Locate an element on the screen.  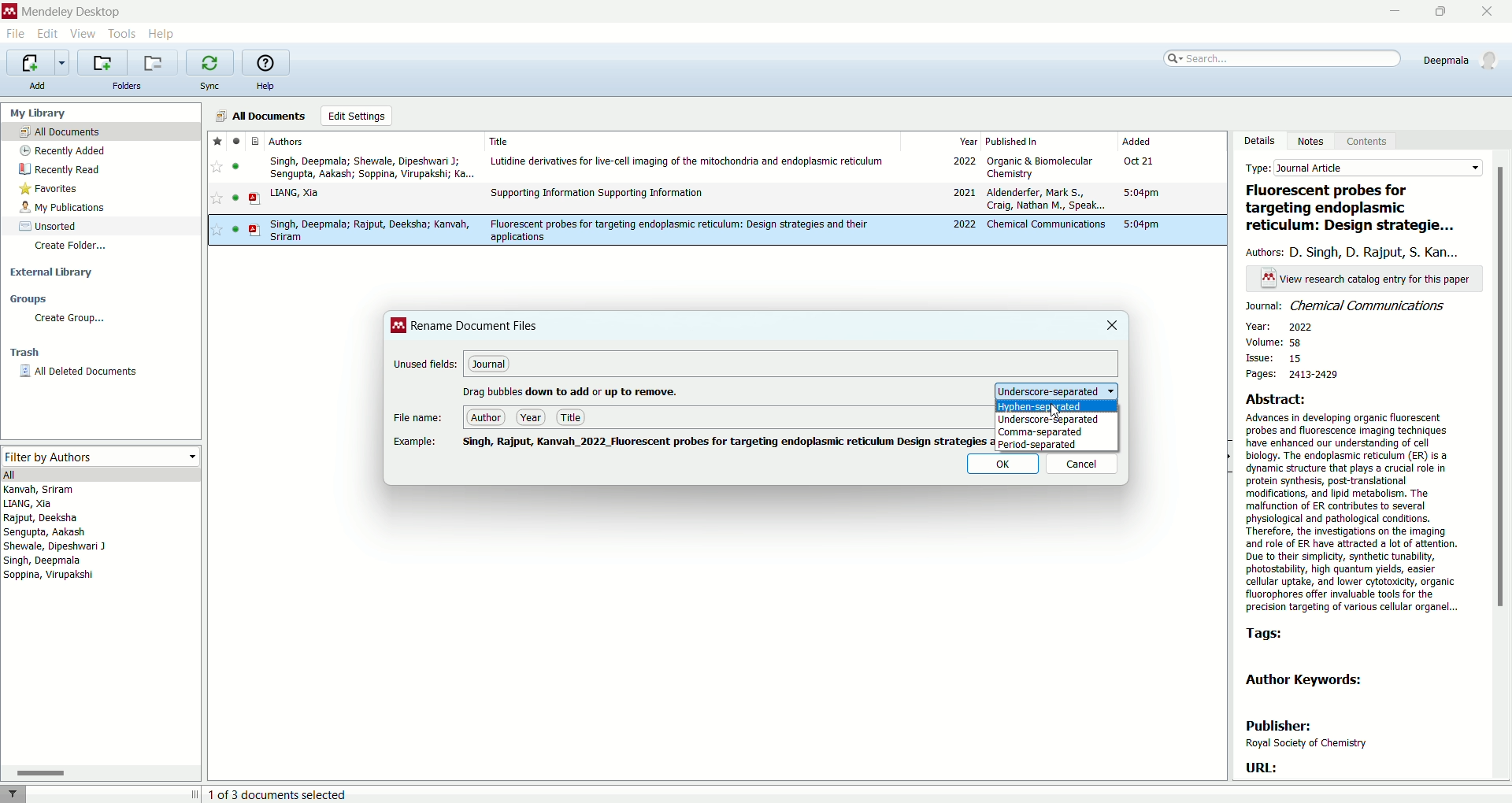
favorite is located at coordinates (215, 201).